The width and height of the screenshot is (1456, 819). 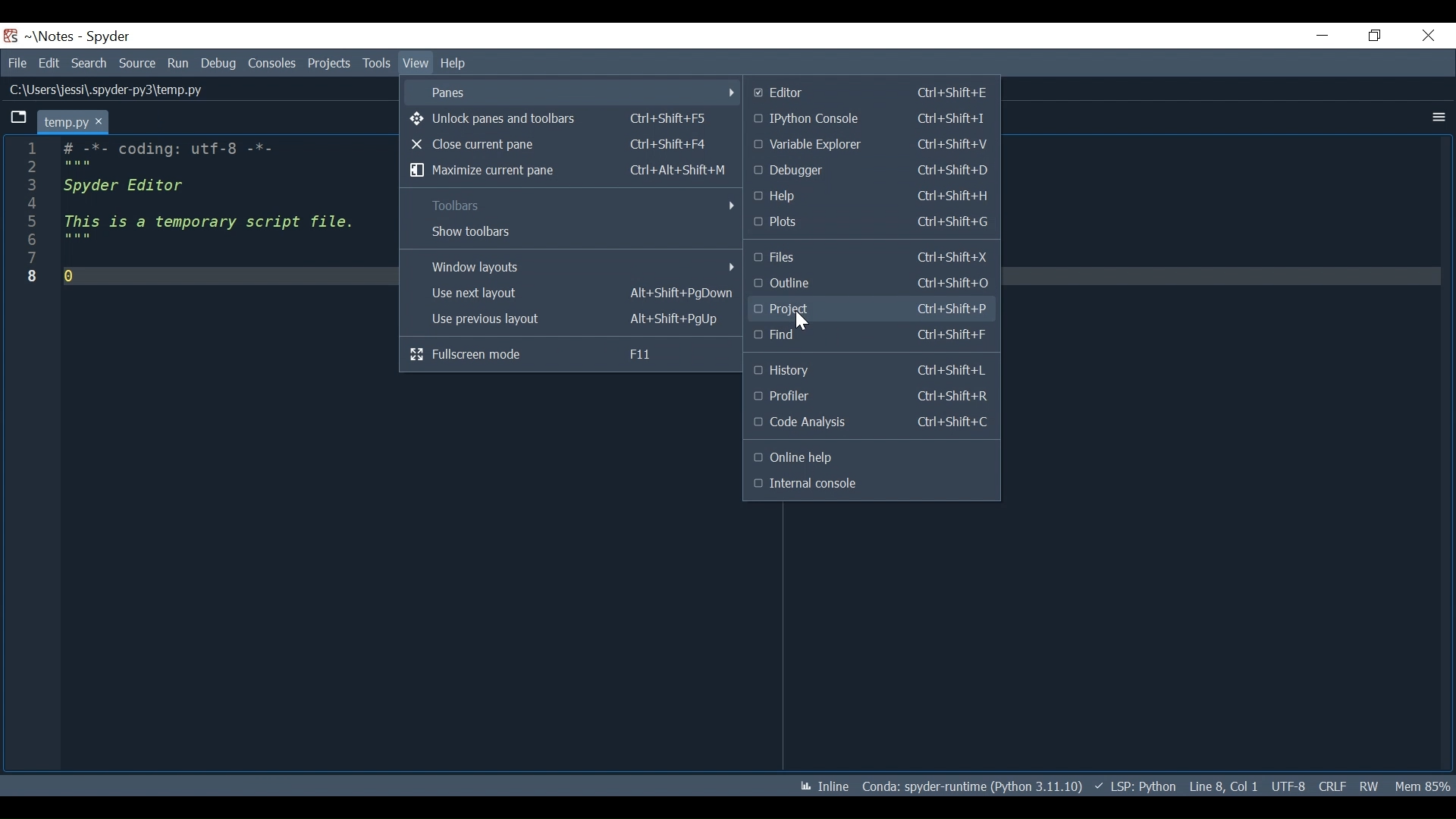 I want to click on Debug, so click(x=219, y=64).